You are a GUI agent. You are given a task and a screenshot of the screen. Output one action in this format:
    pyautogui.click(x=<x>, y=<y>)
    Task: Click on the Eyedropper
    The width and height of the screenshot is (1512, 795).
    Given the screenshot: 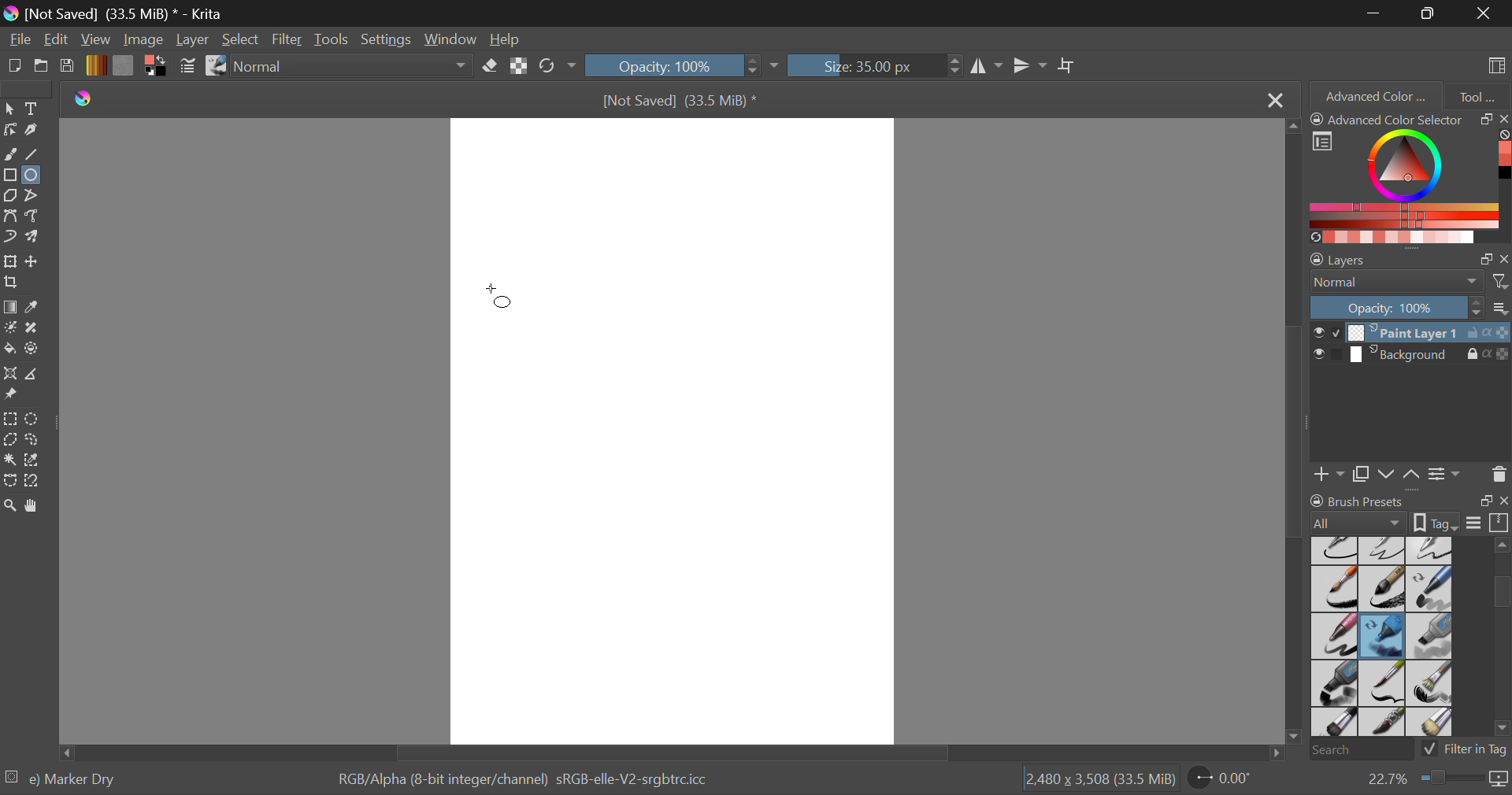 What is the action you would take?
    pyautogui.click(x=36, y=308)
    